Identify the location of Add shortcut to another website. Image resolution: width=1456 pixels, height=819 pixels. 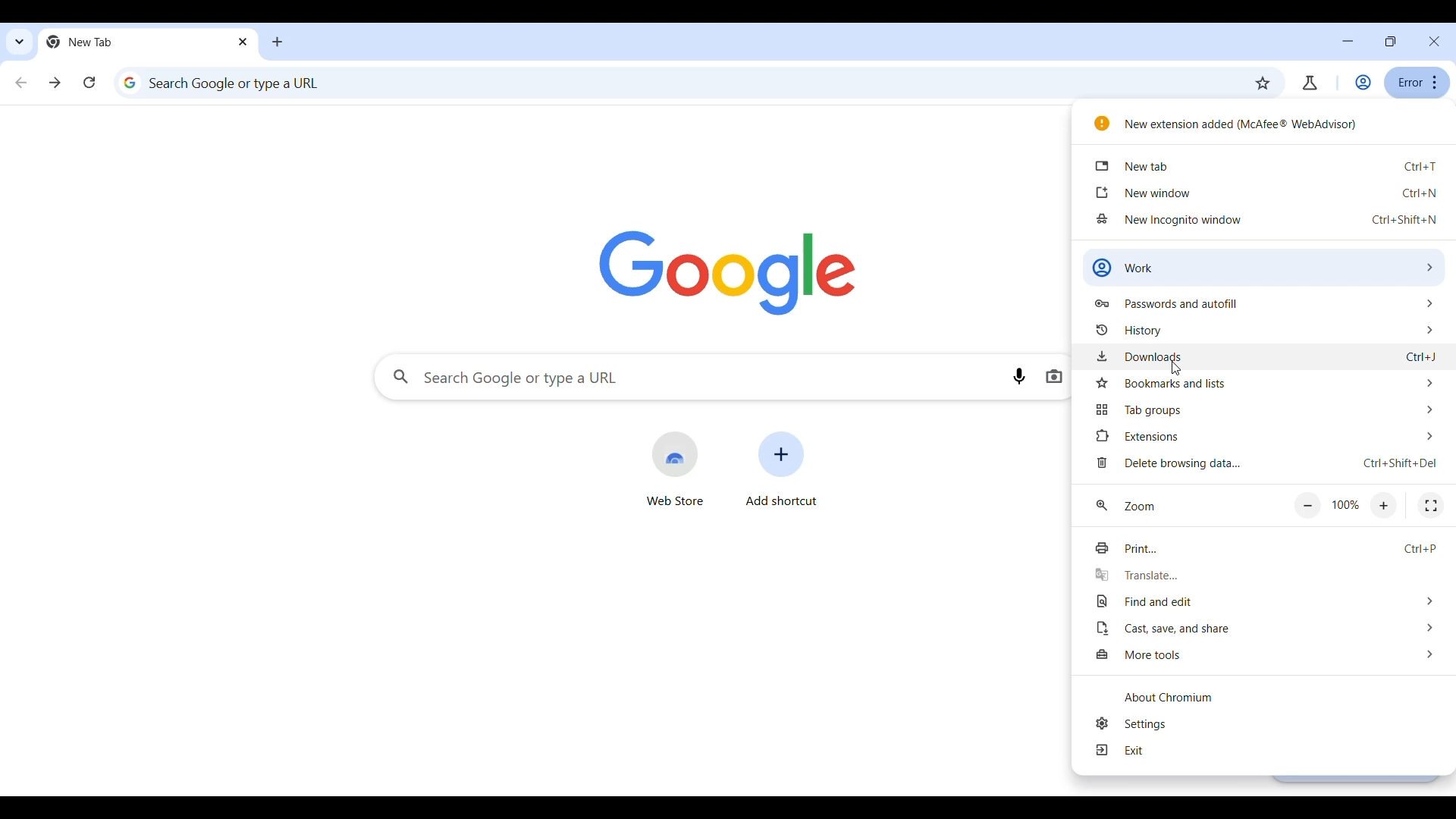
(780, 468).